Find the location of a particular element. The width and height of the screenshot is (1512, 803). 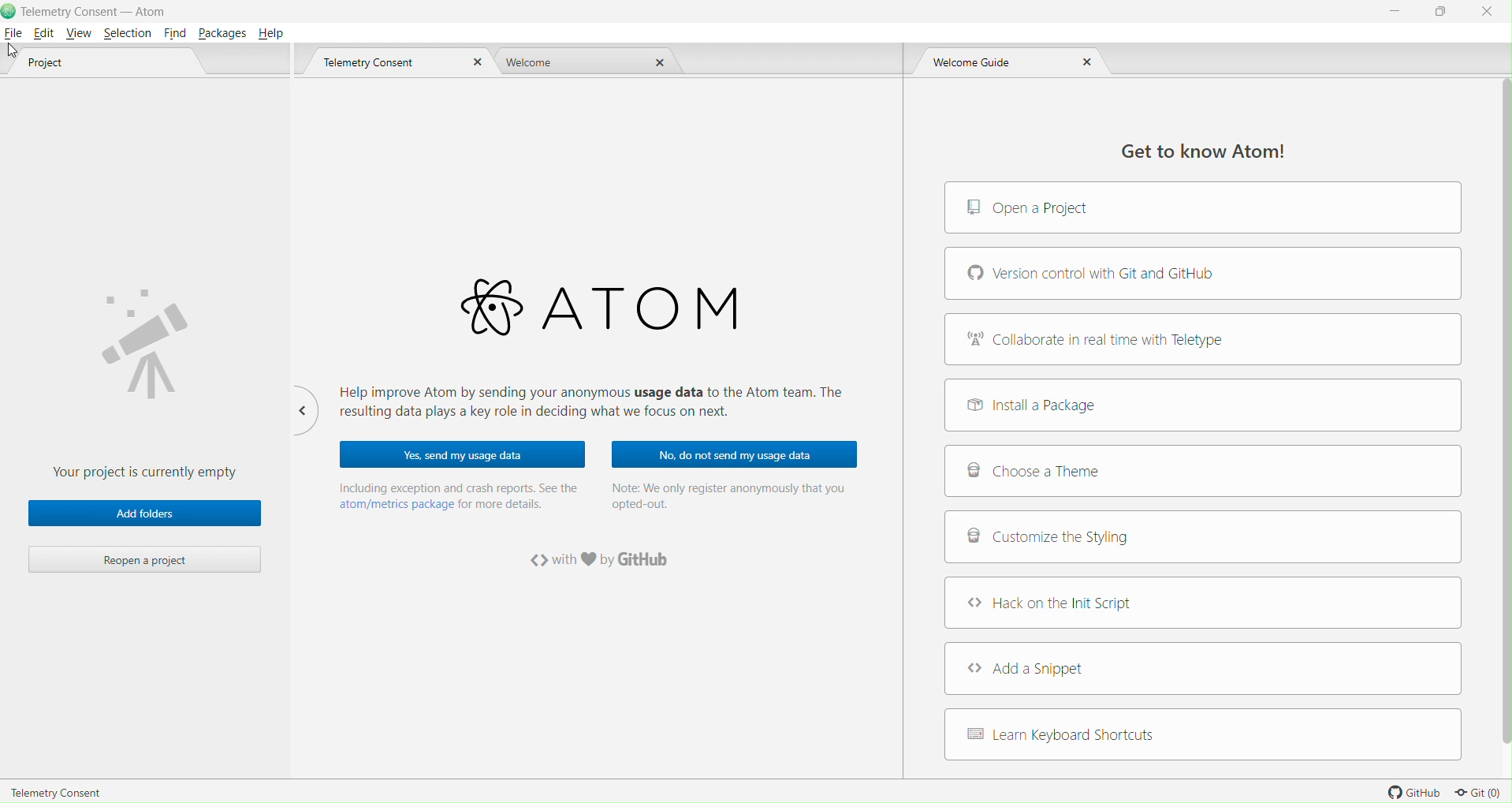

Reopen a project is located at coordinates (147, 559).